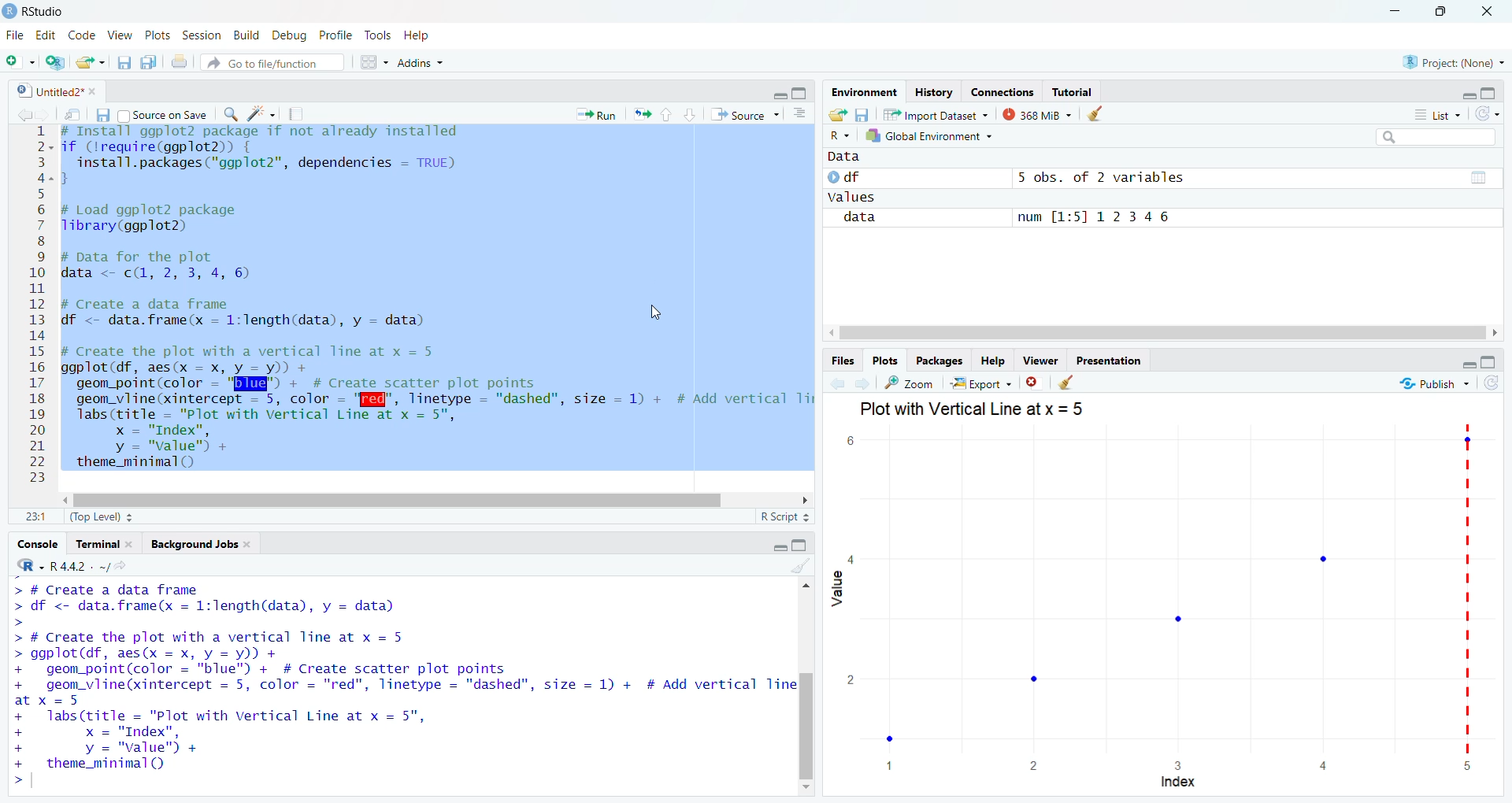 This screenshot has width=1512, height=803. I want to click on History, so click(936, 91).